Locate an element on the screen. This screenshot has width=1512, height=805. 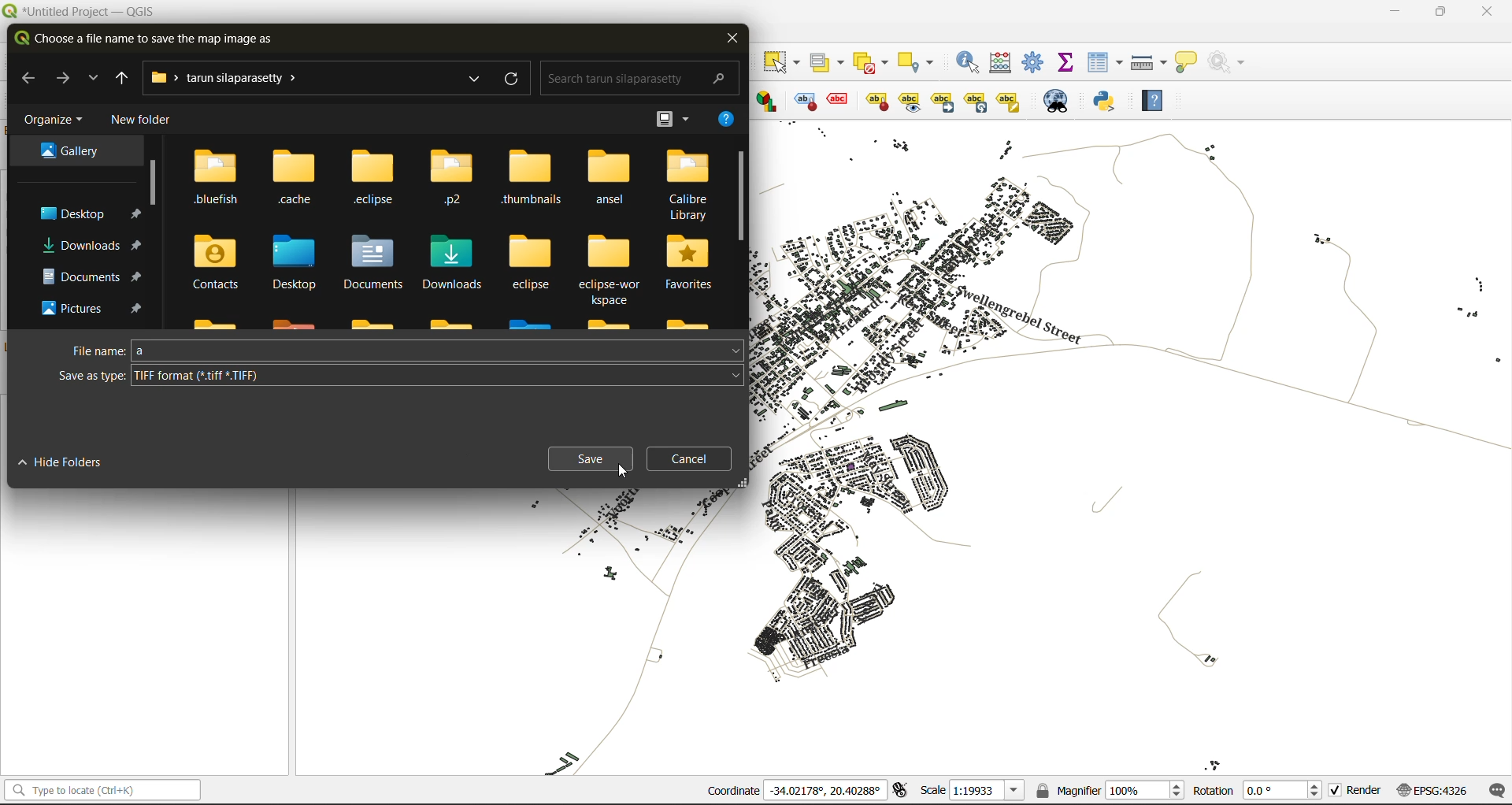
folders is located at coordinates (76, 227).